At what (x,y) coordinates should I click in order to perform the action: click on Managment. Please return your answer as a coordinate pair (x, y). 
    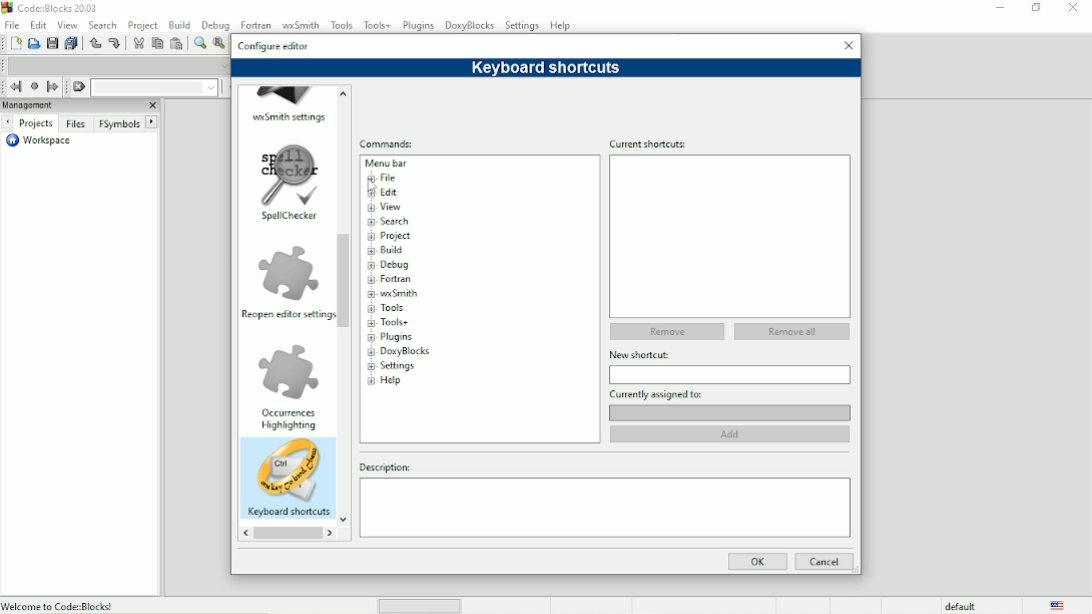
    Looking at the image, I should click on (57, 105).